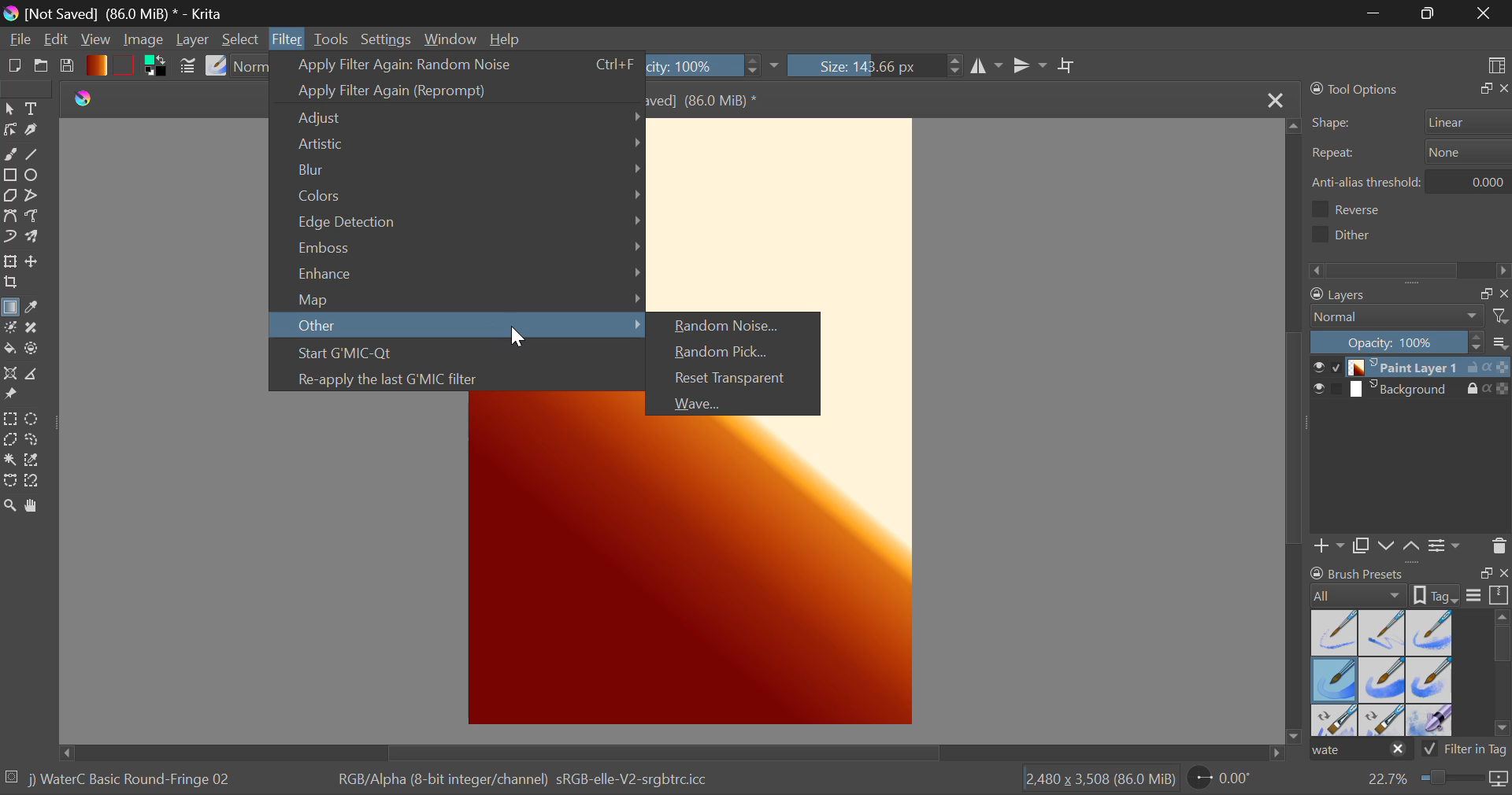 This screenshot has height=795, width=1512. Describe the element at coordinates (1464, 152) in the screenshot. I see `repeat button` at that location.